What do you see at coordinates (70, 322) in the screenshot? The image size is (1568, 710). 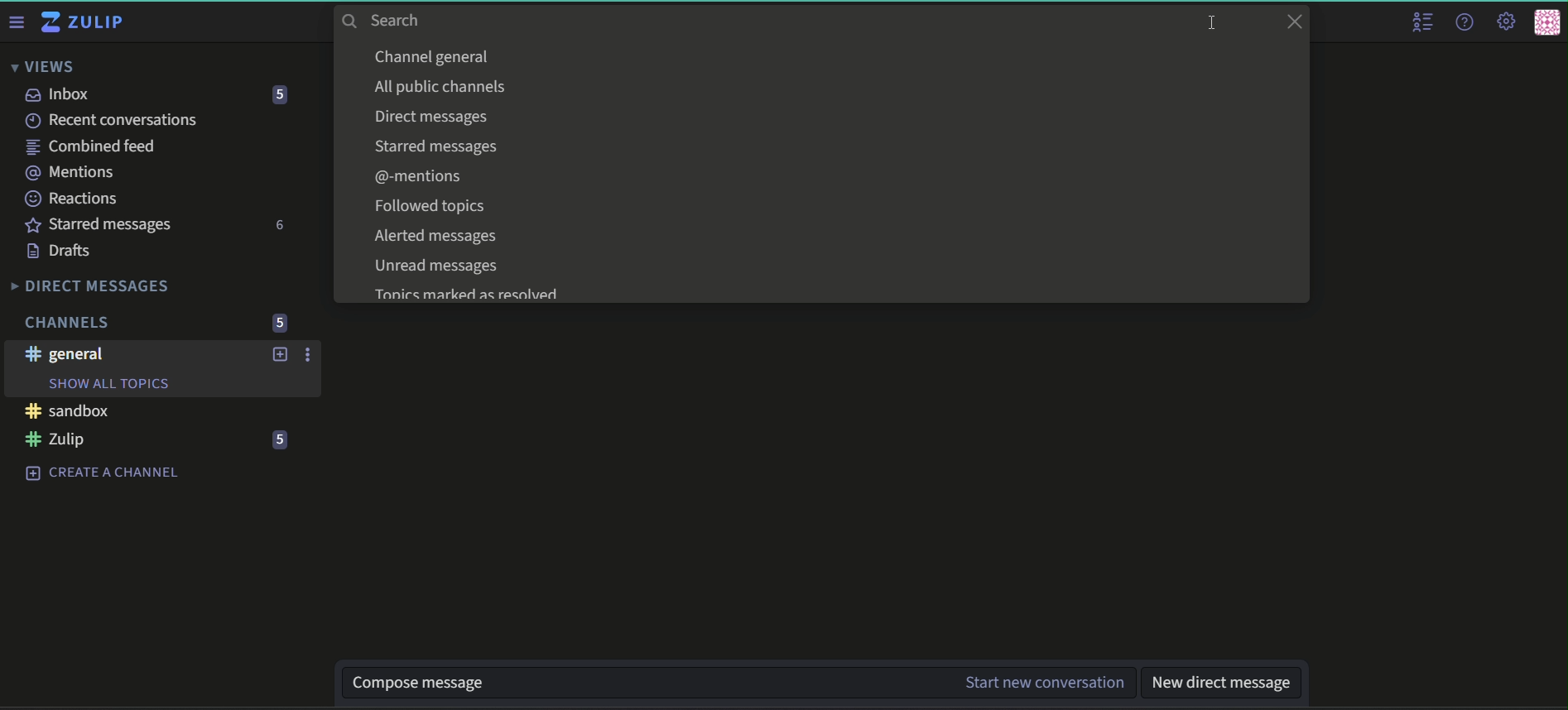 I see `Channels` at bounding box center [70, 322].